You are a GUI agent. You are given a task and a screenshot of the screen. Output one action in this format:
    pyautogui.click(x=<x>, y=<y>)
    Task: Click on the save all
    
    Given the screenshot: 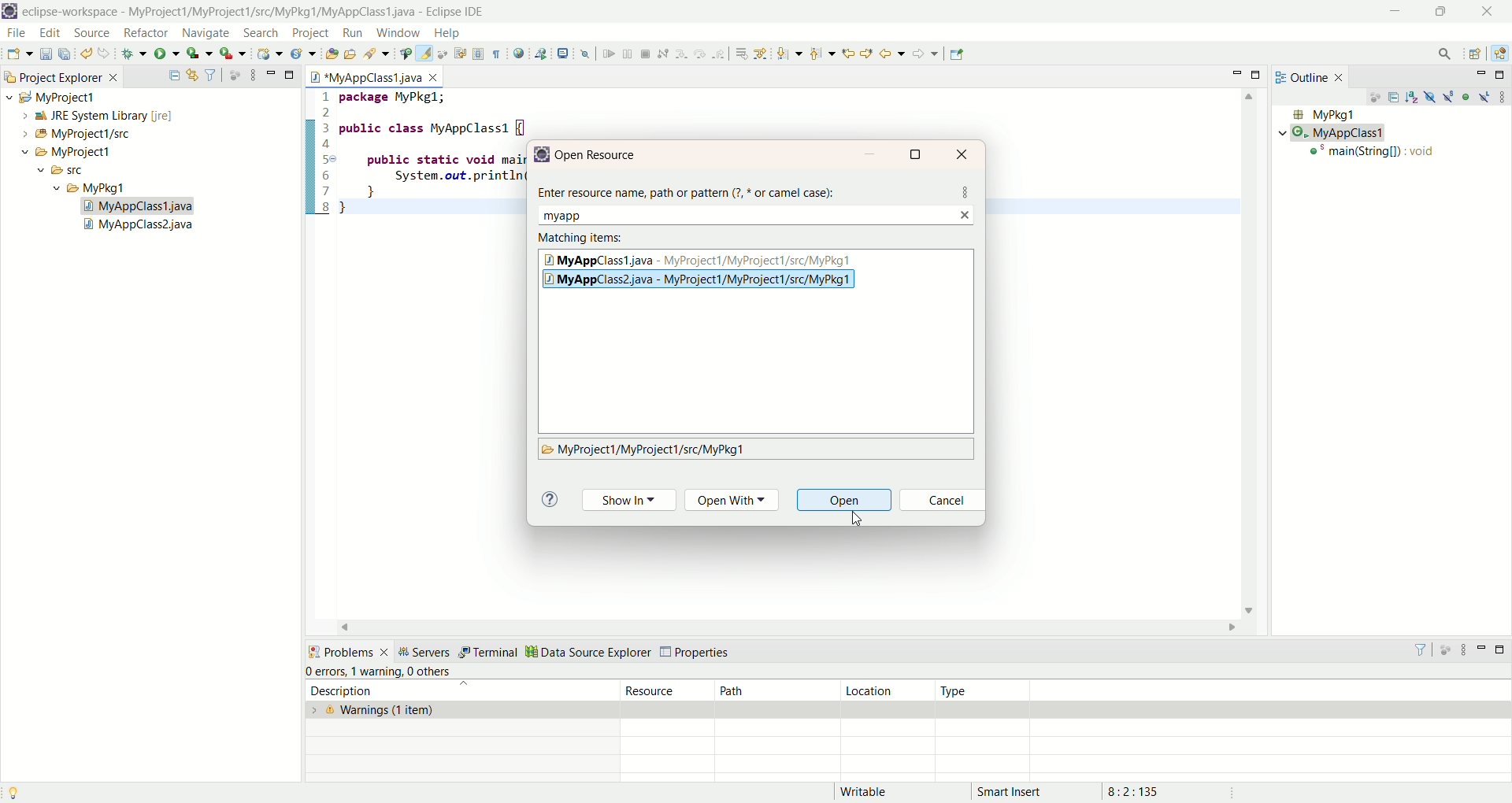 What is the action you would take?
    pyautogui.click(x=67, y=54)
    